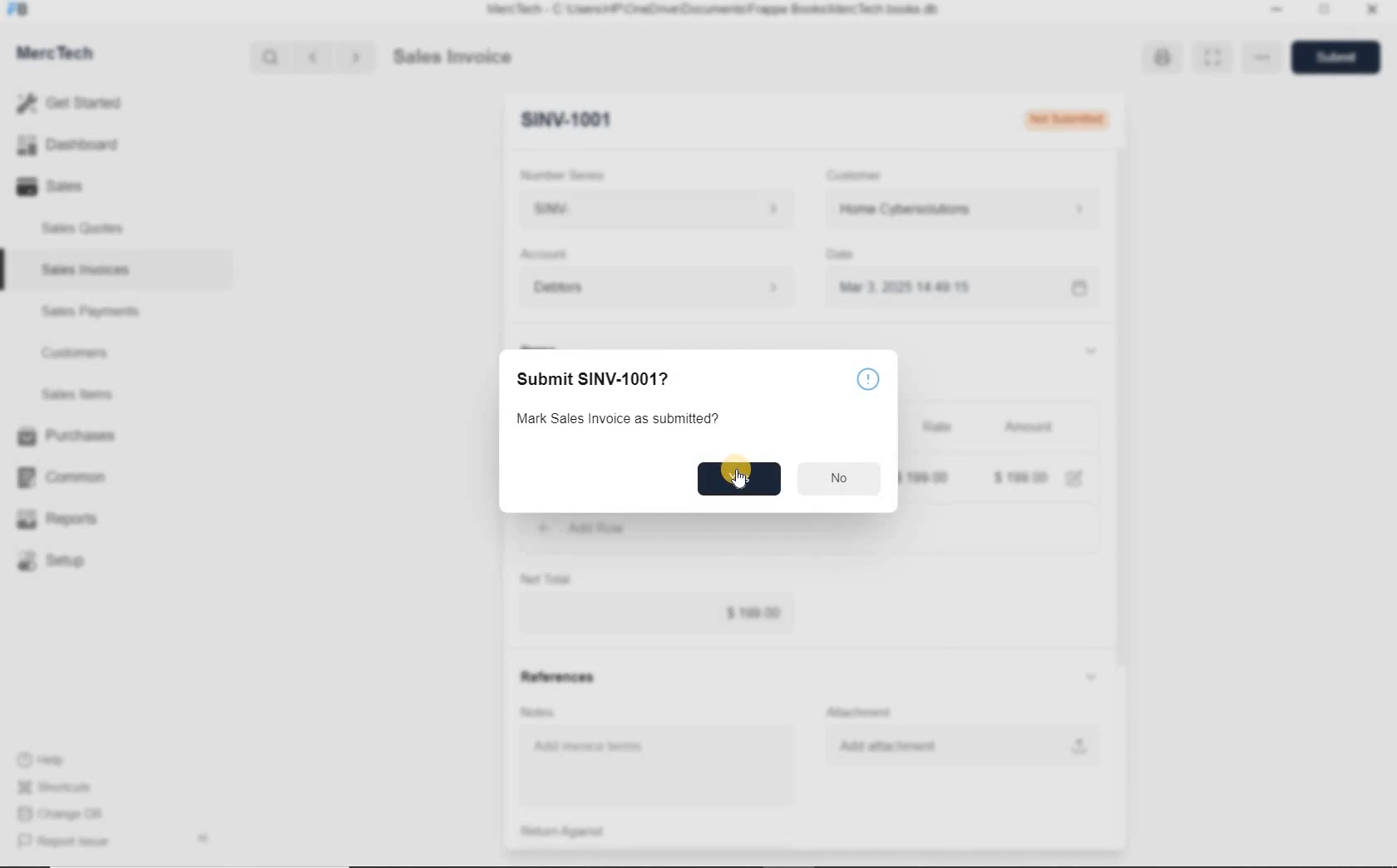  Describe the element at coordinates (657, 614) in the screenshot. I see `$0.00` at that location.